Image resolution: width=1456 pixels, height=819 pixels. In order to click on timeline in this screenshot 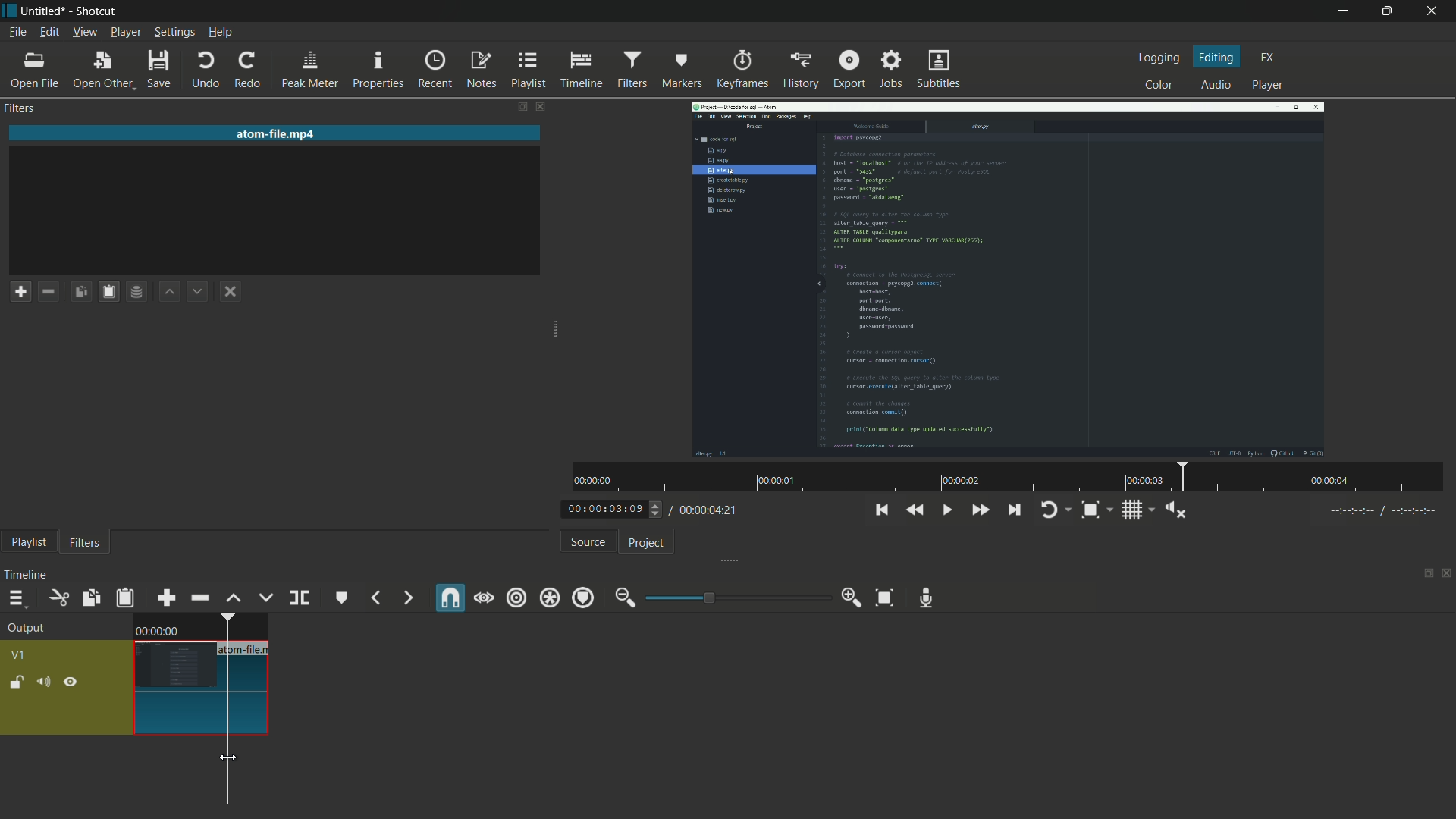, I will do `click(28, 573)`.